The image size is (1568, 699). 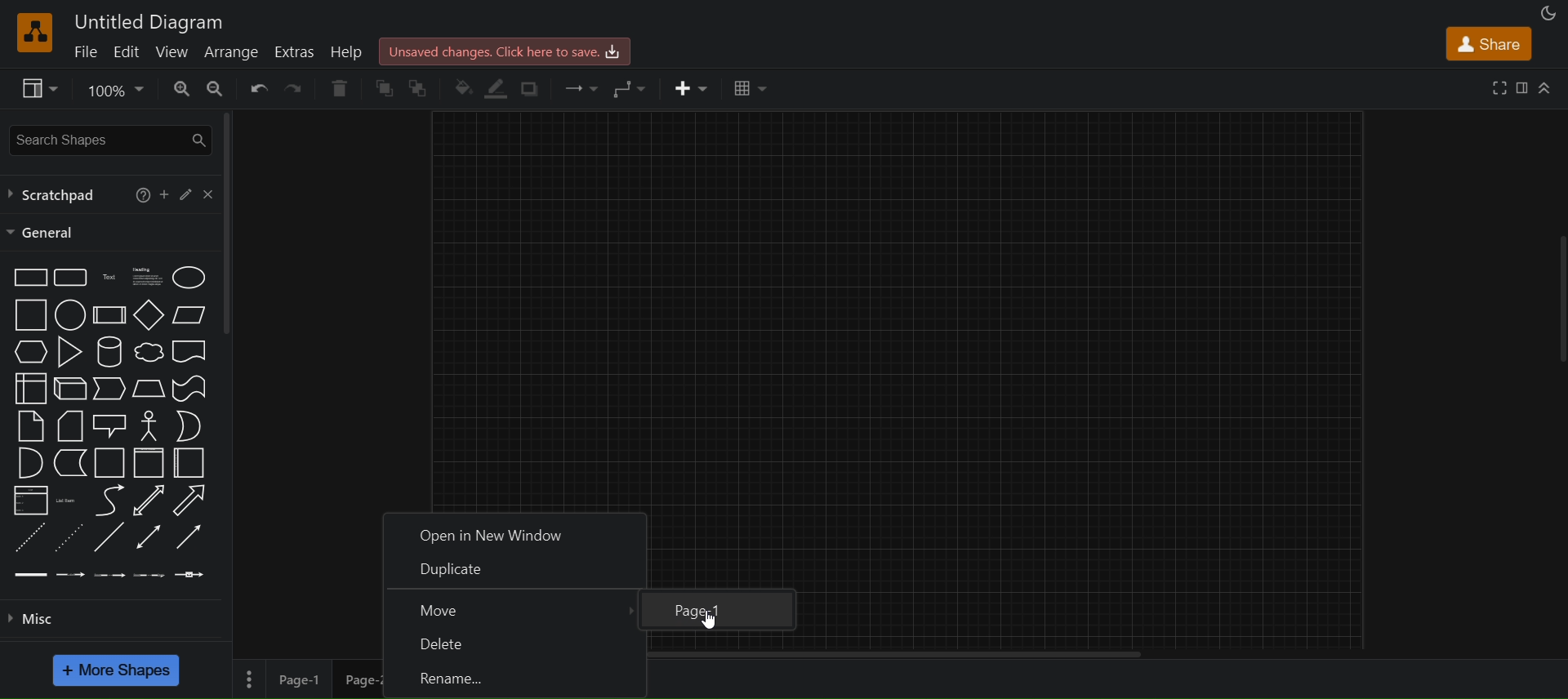 What do you see at coordinates (189, 499) in the screenshot?
I see `arrow` at bounding box center [189, 499].